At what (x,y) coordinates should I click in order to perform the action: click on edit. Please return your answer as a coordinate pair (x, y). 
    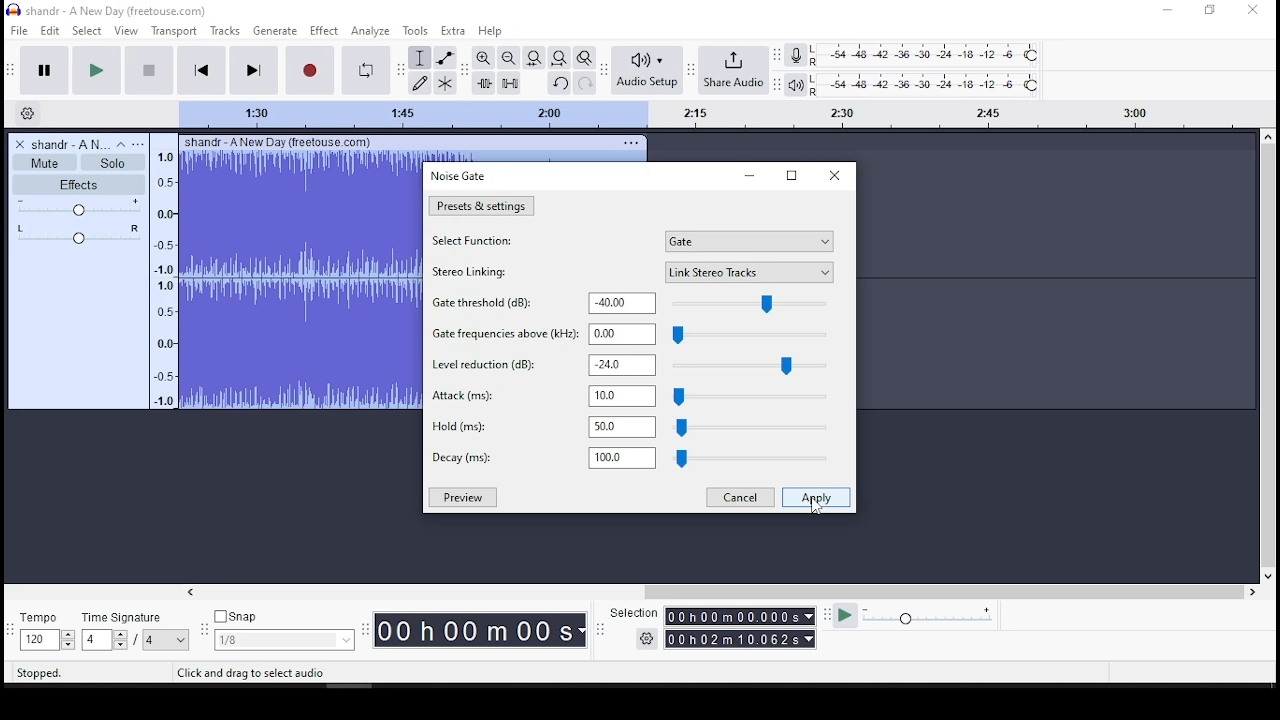
    Looking at the image, I should click on (50, 31).